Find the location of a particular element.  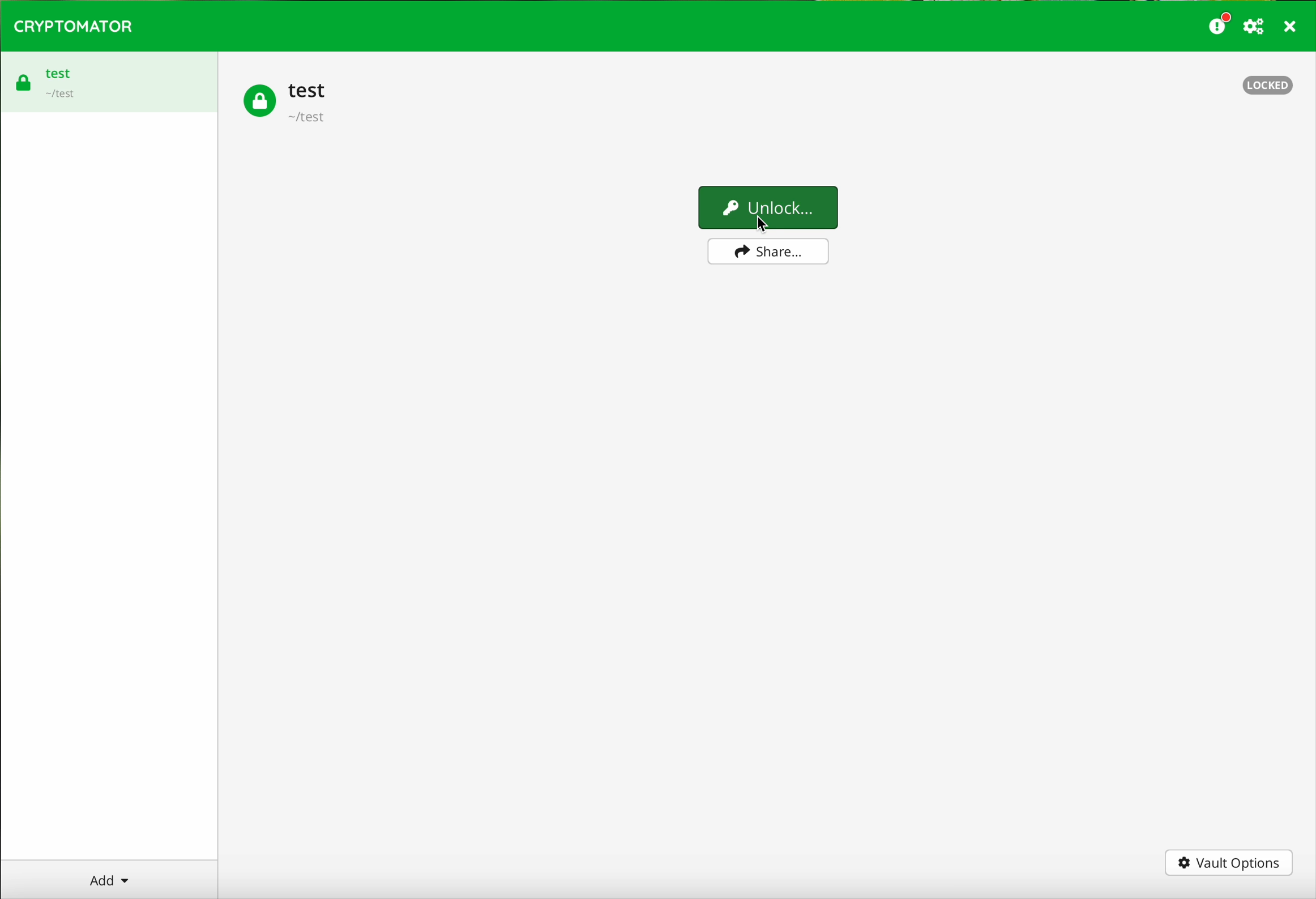

vault options is located at coordinates (1229, 865).